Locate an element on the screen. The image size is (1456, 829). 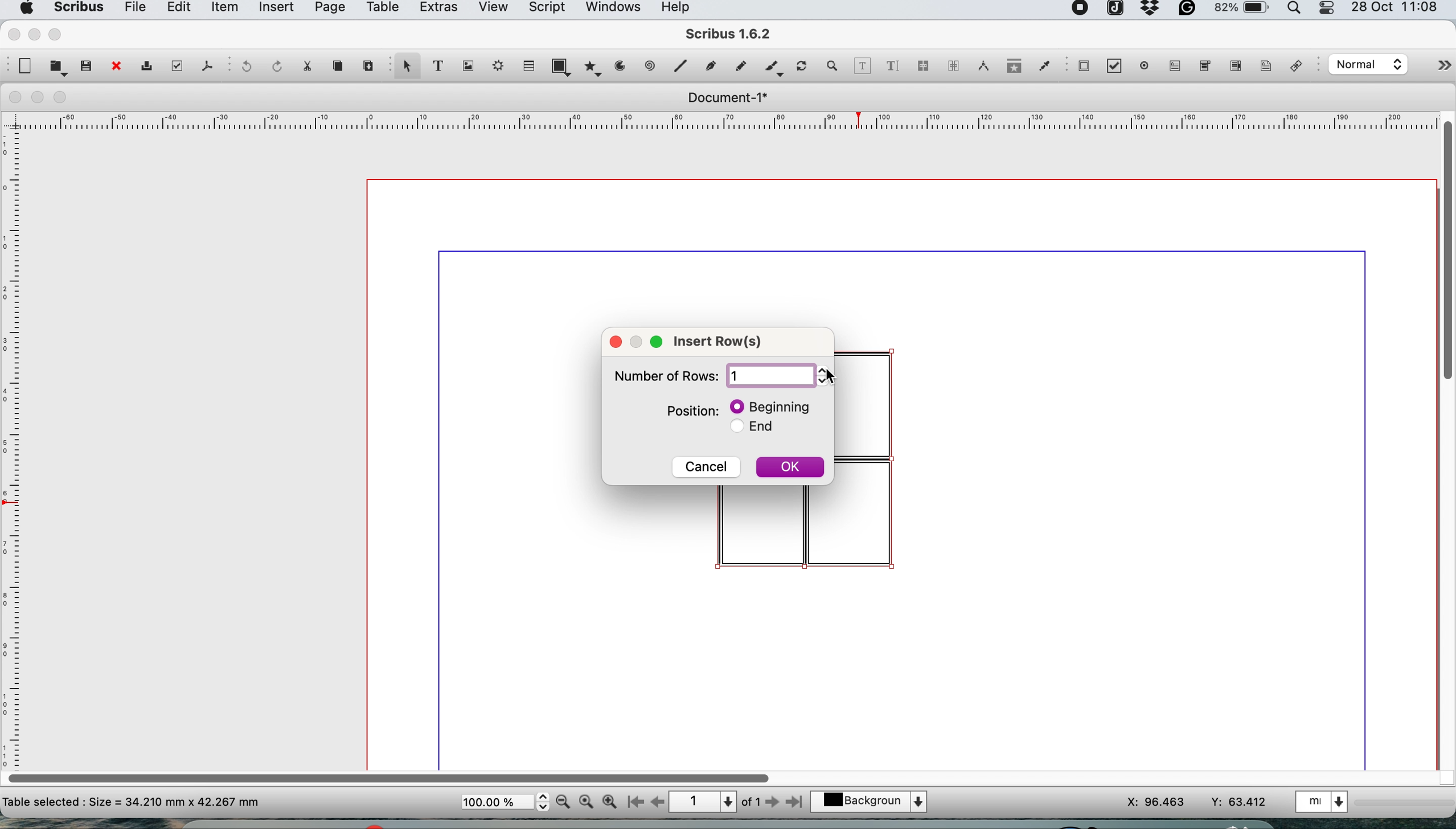
resize is located at coordinates (639, 339).